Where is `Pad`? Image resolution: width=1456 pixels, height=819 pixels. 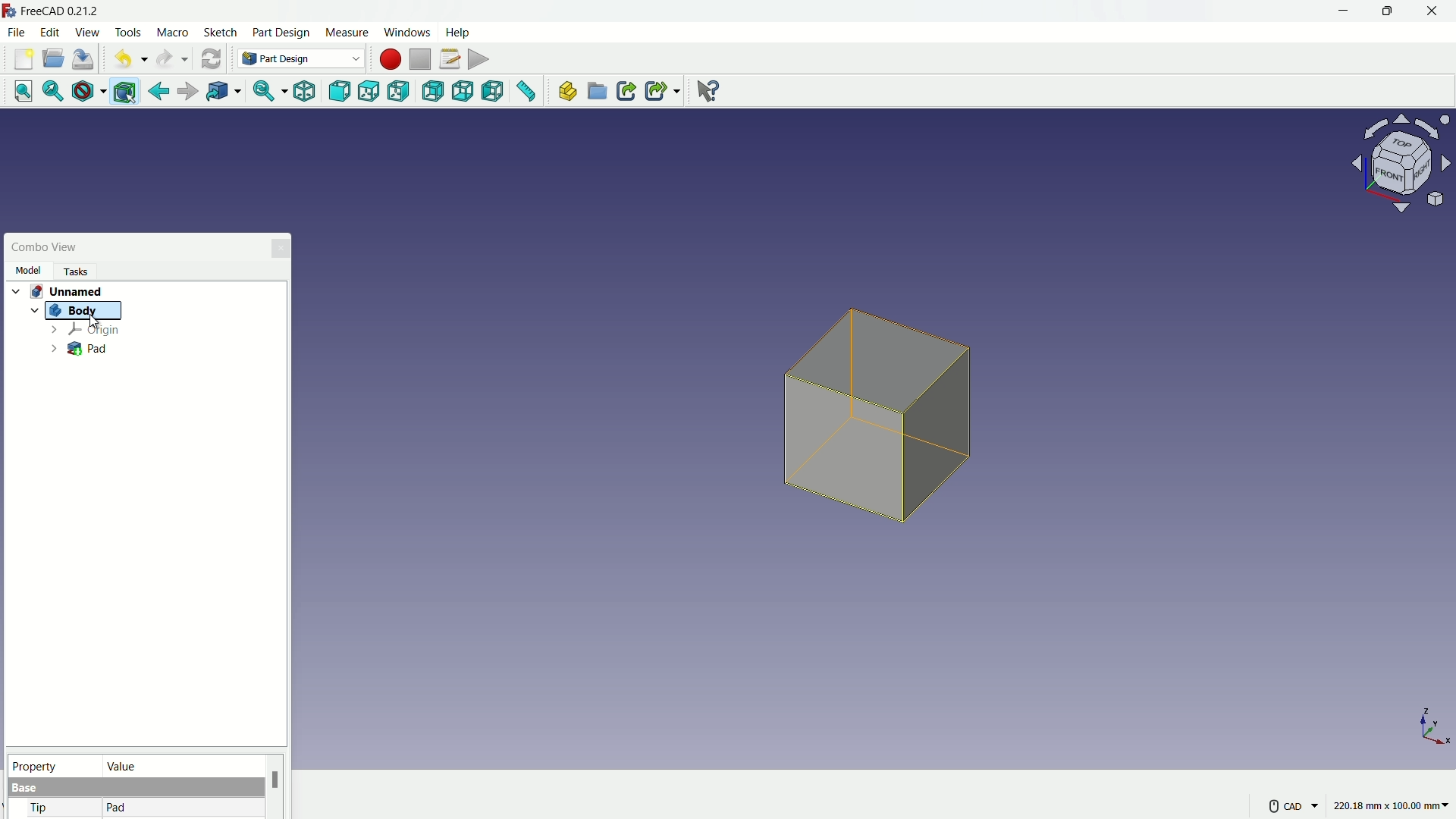 Pad is located at coordinates (79, 350).